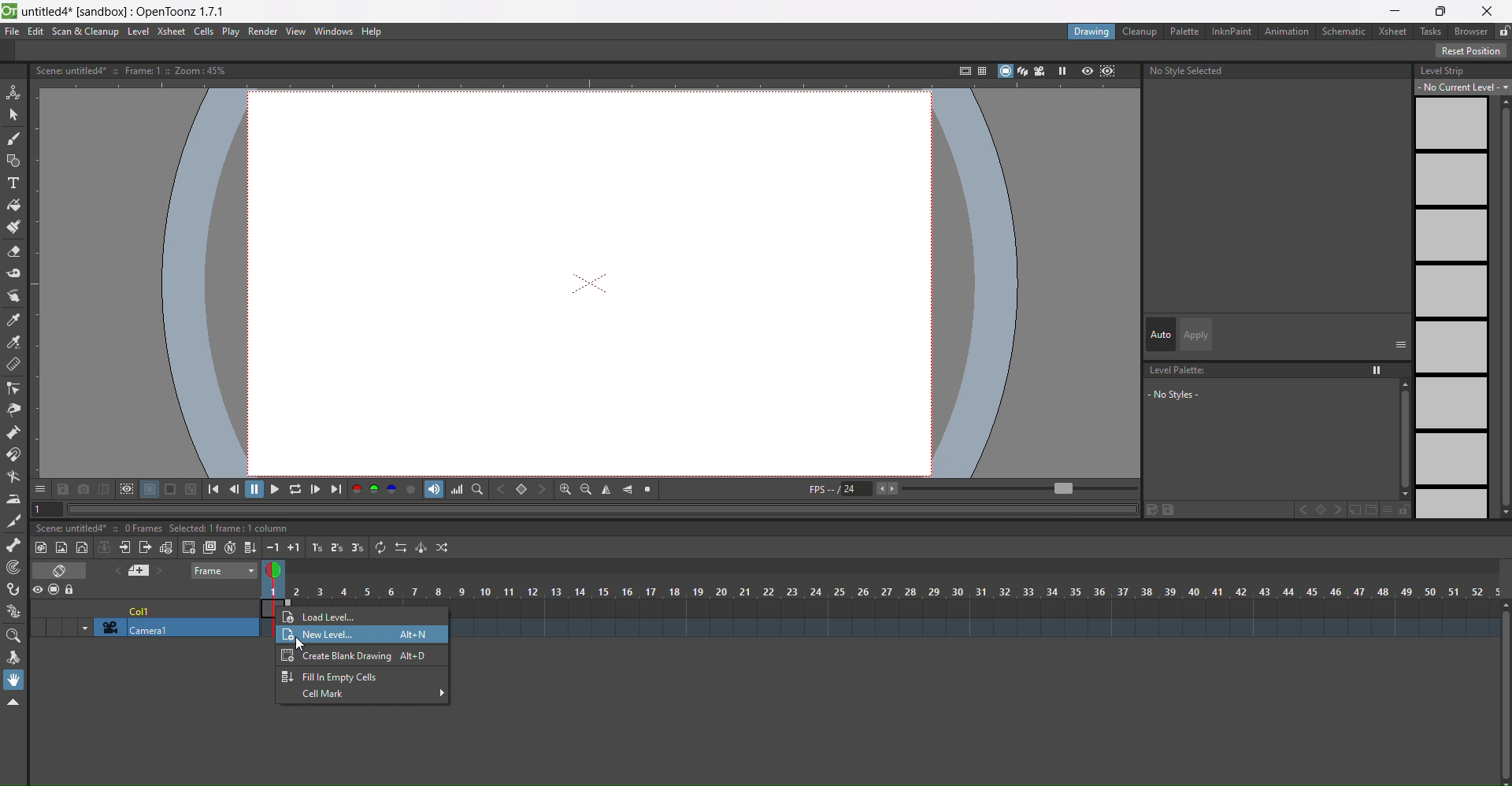  What do you see at coordinates (188, 547) in the screenshot?
I see `create blank drawing` at bounding box center [188, 547].